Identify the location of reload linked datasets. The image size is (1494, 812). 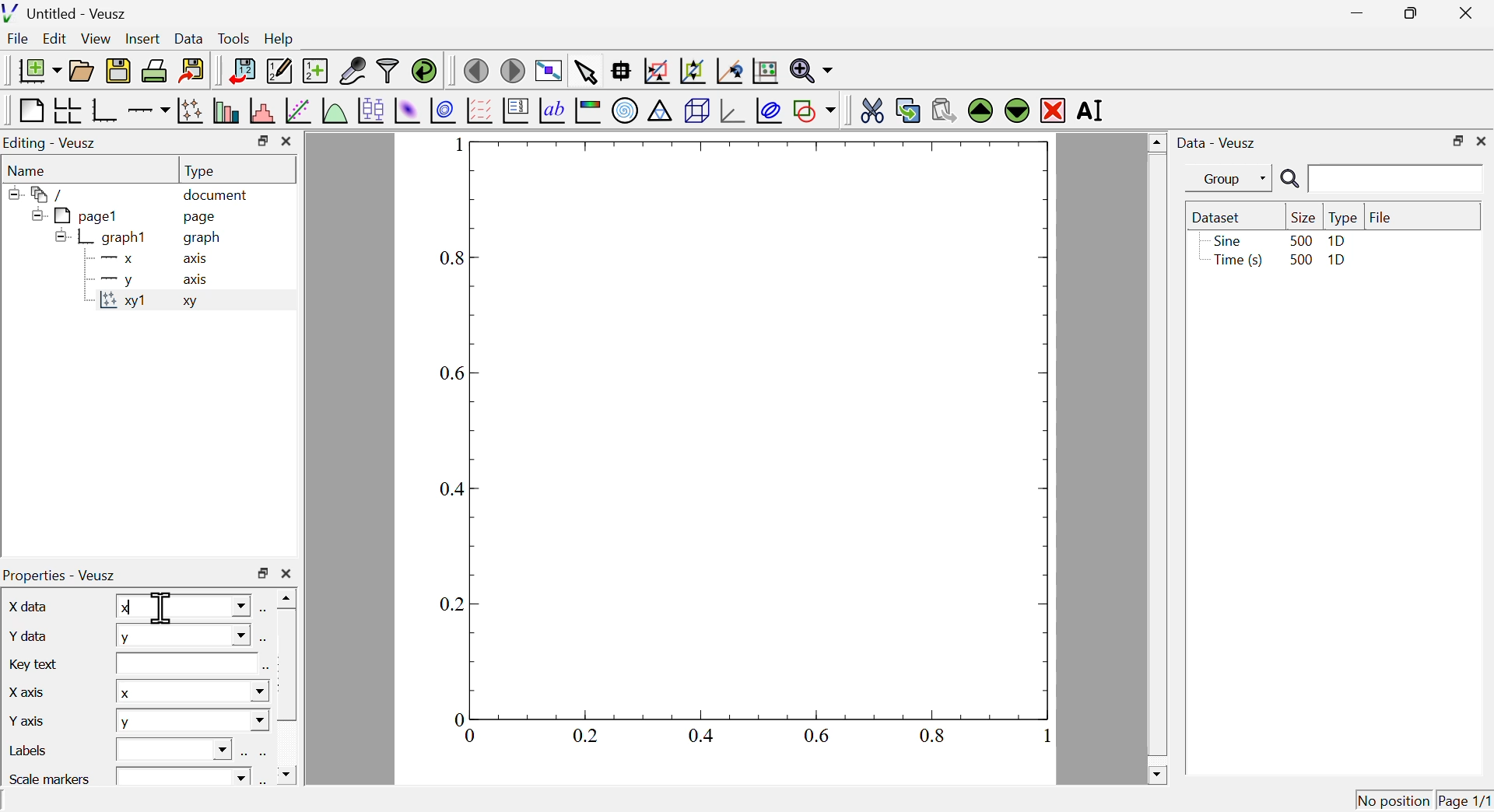
(423, 70).